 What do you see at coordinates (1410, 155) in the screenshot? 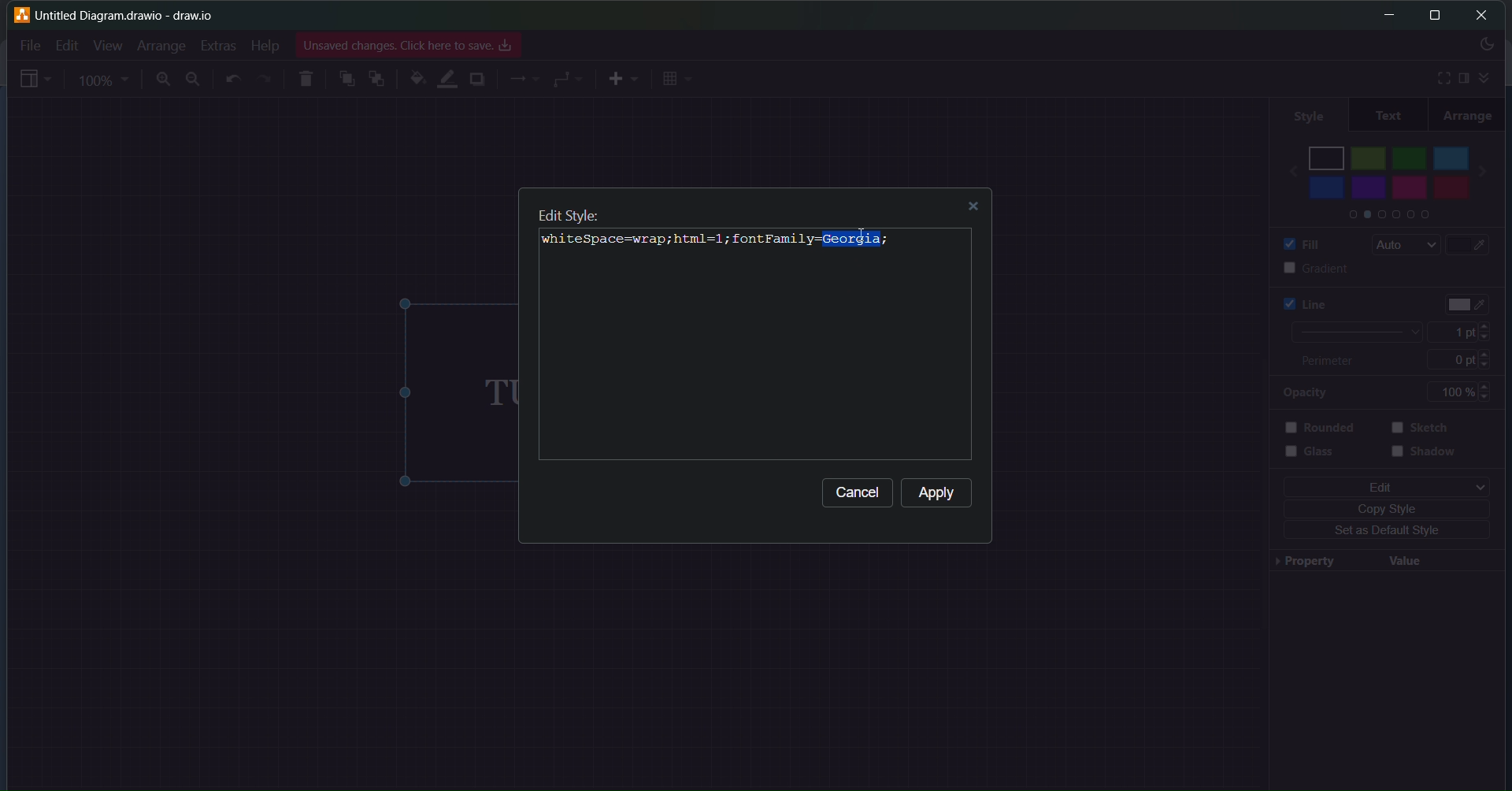
I see `green` at bounding box center [1410, 155].